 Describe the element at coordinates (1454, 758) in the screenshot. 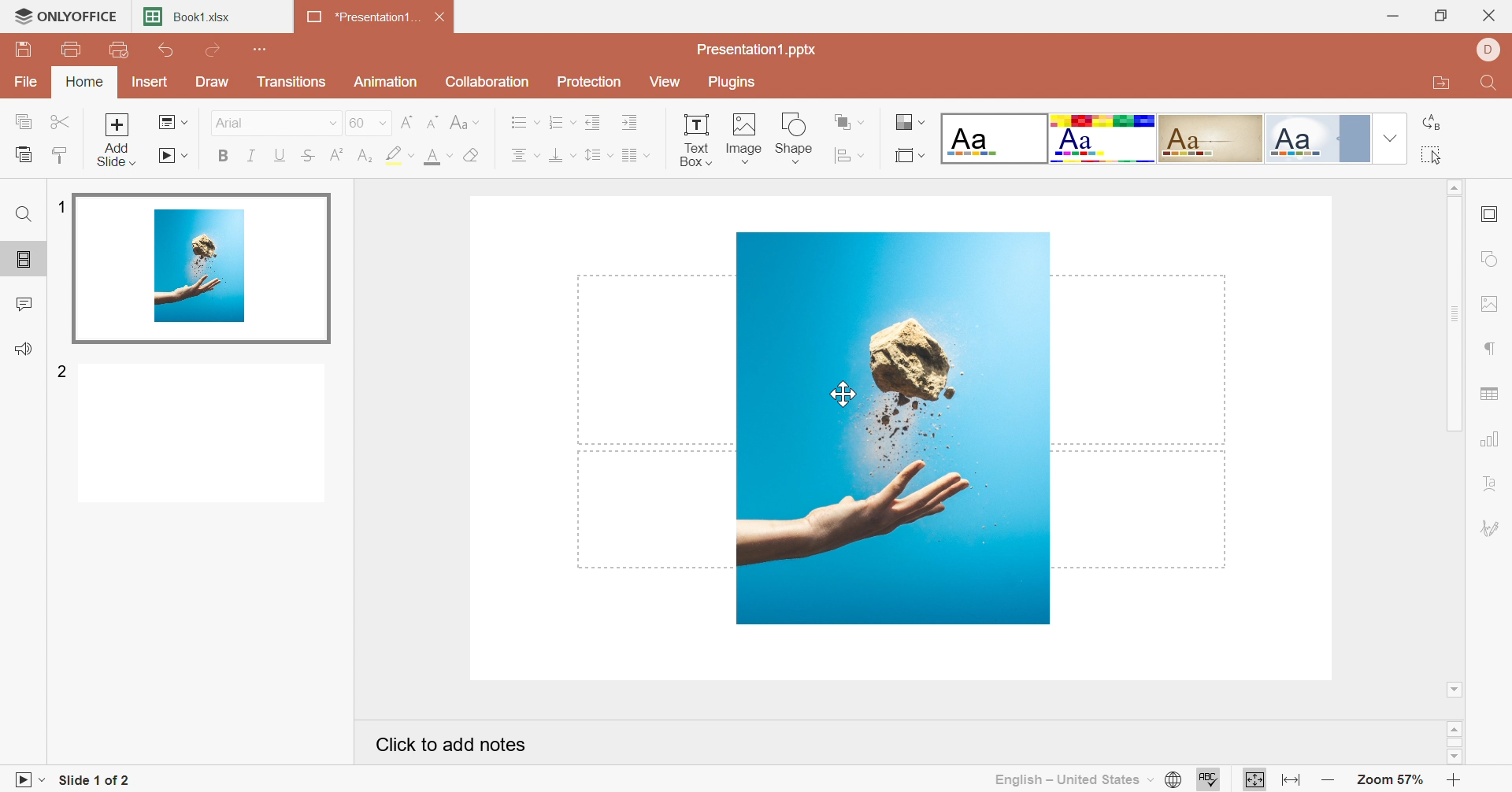

I see `scroll down` at that location.